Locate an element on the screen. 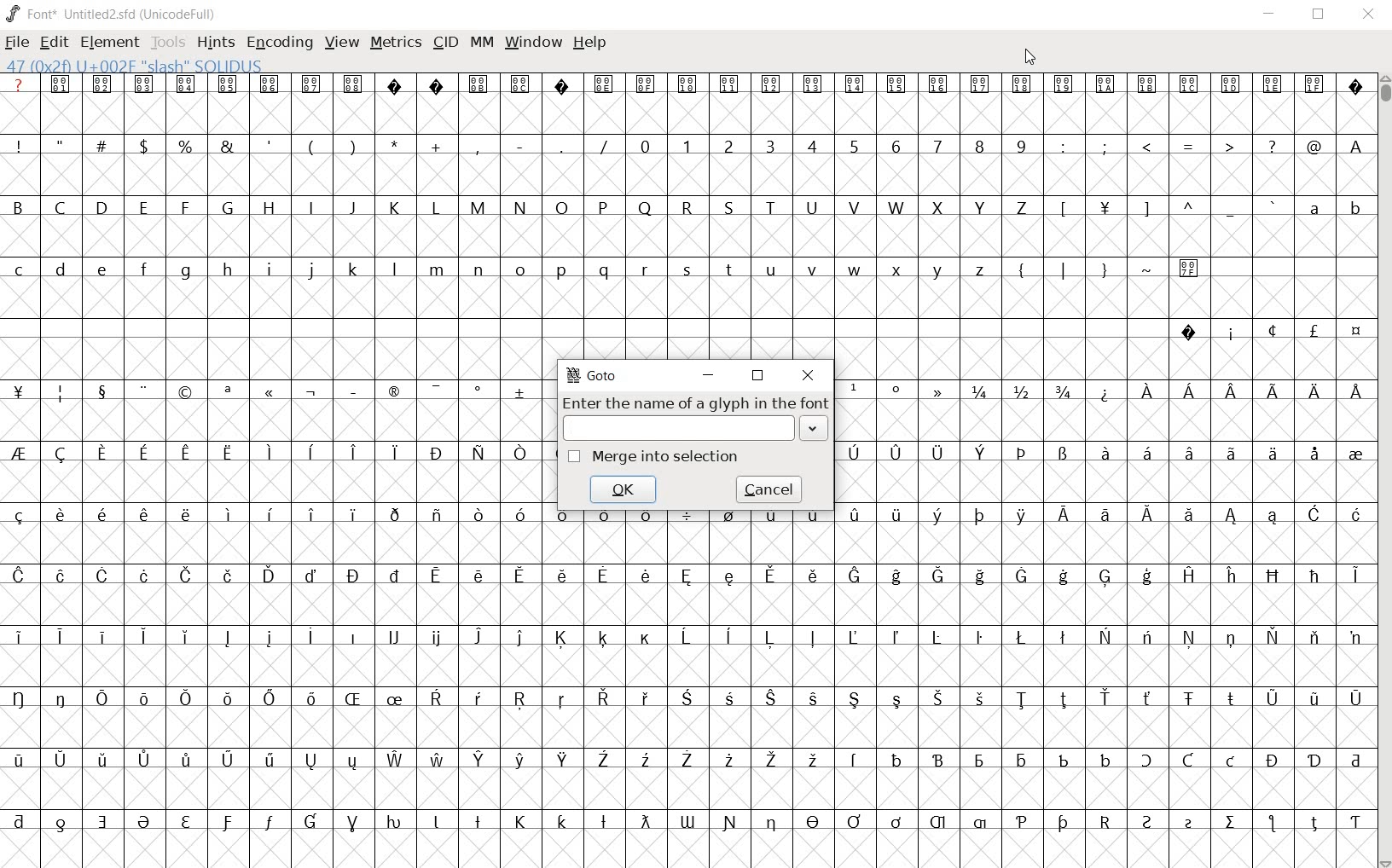 This screenshot has height=868, width=1392. empty cells is located at coordinates (281, 482).